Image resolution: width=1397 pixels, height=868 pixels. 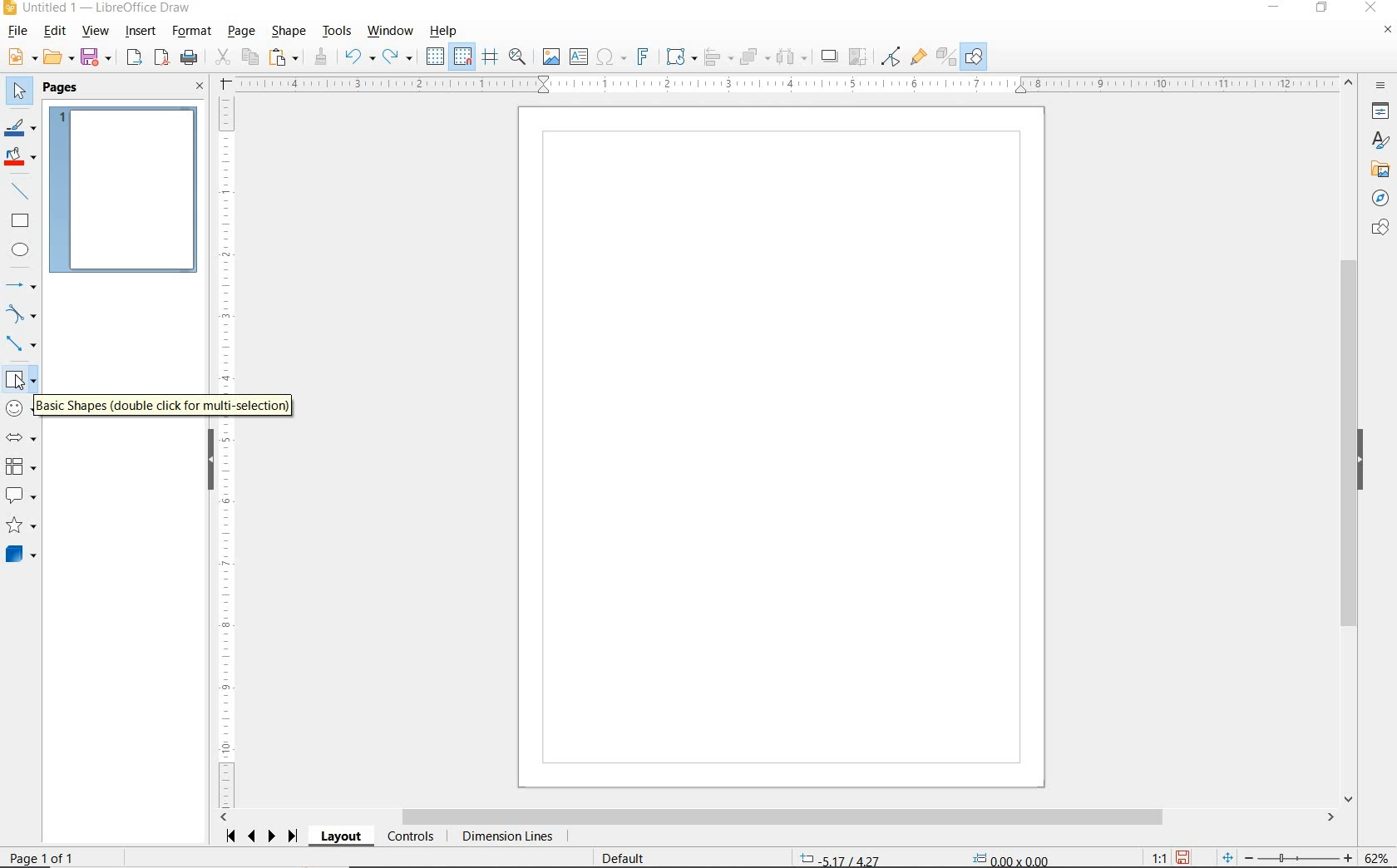 I want to click on SHAPES, so click(x=1378, y=229).